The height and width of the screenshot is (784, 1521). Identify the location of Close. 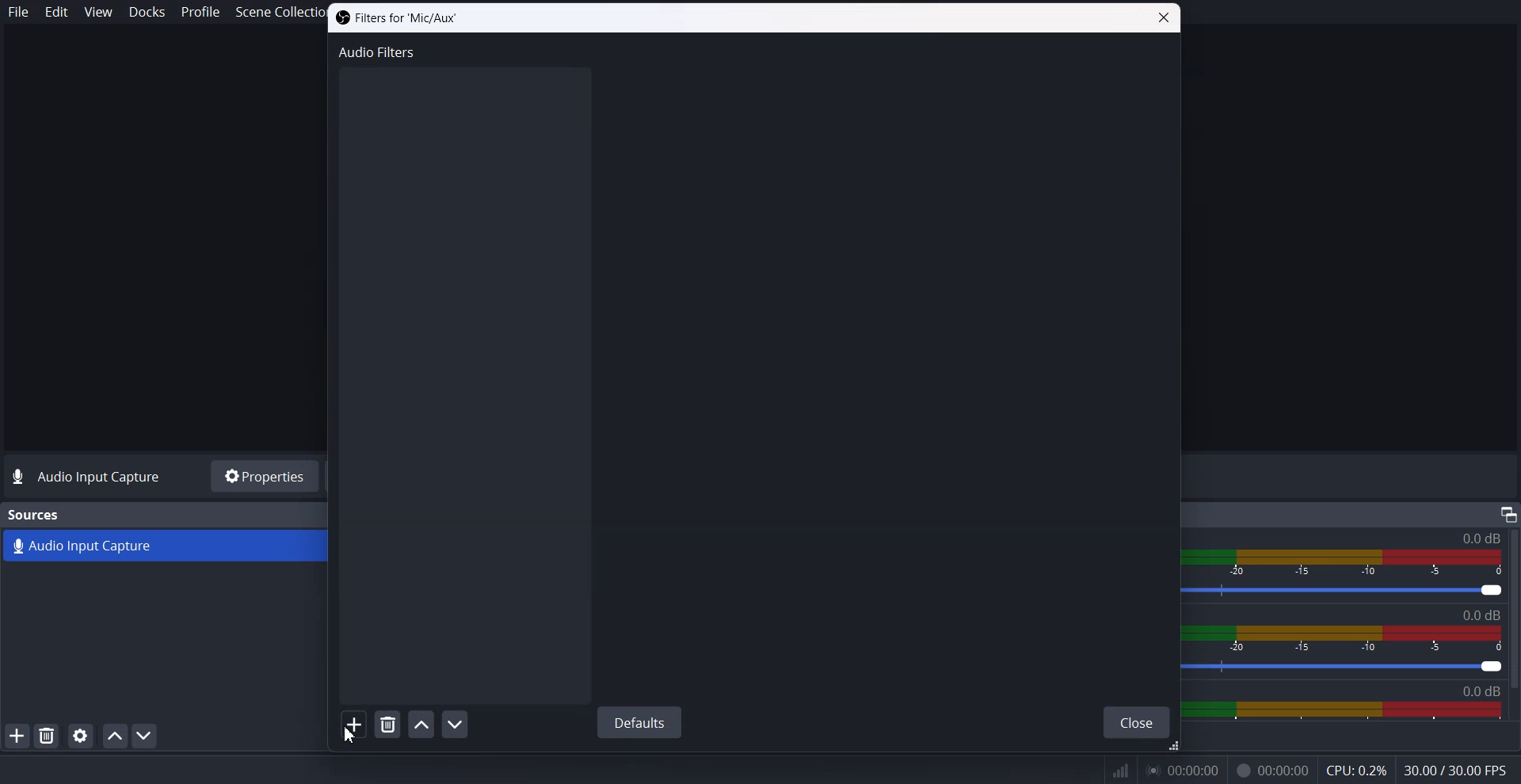
(1164, 18).